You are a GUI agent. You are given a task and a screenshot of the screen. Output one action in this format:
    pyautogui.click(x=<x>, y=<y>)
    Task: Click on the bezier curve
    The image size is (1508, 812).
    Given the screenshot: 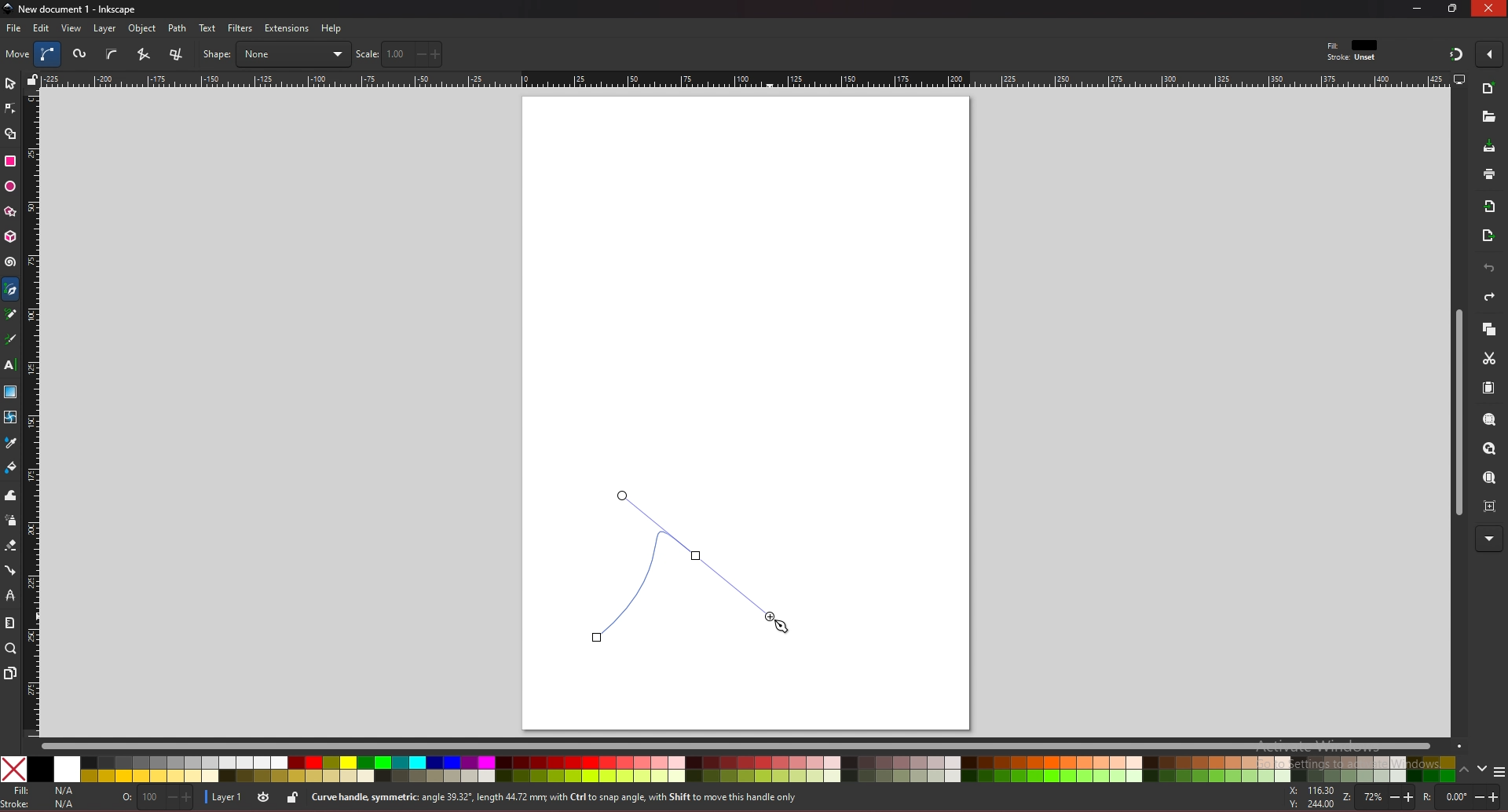 What is the action you would take?
    pyautogui.click(x=49, y=54)
    